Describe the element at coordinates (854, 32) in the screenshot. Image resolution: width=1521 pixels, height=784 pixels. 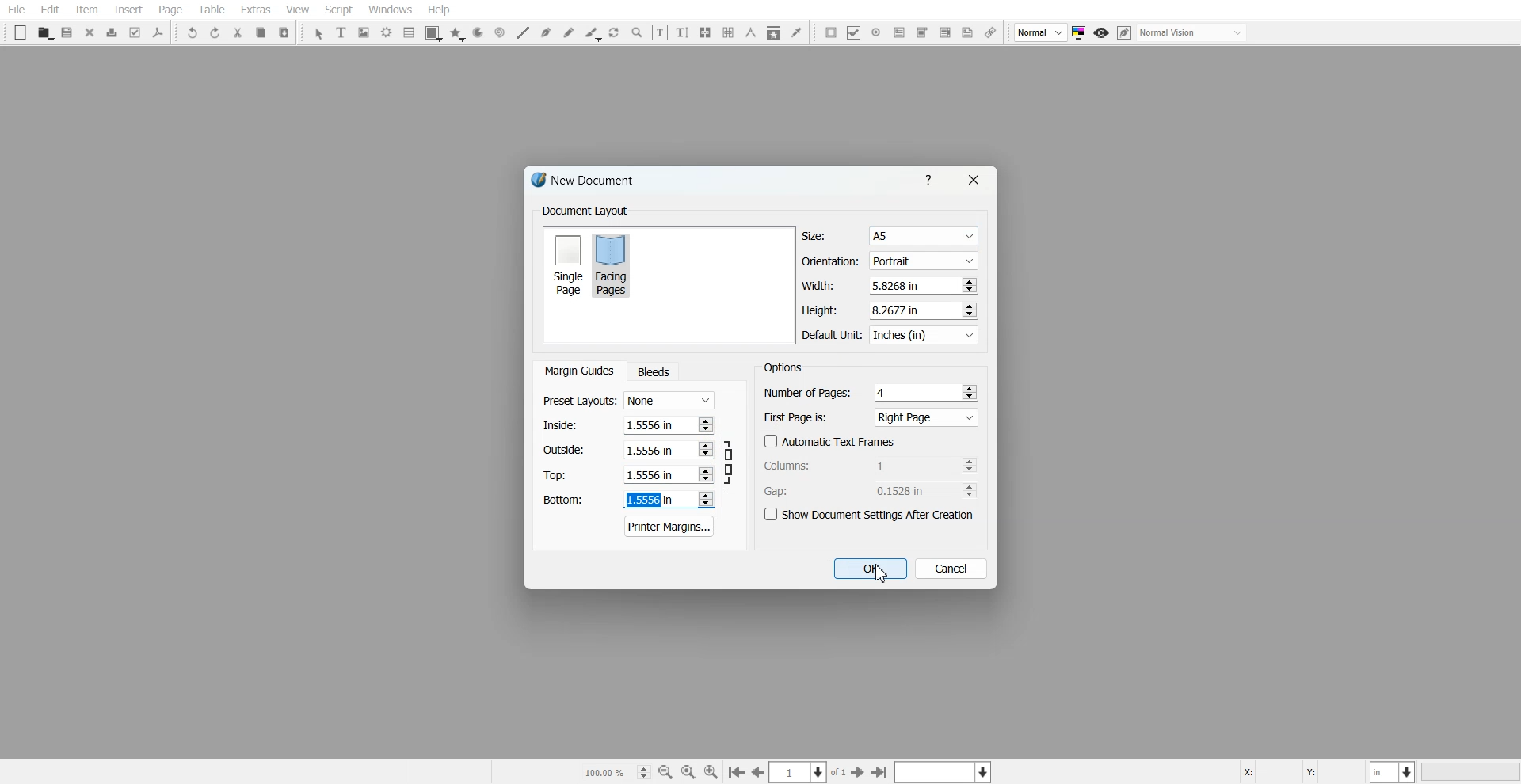
I see `PDF Check Box` at that location.